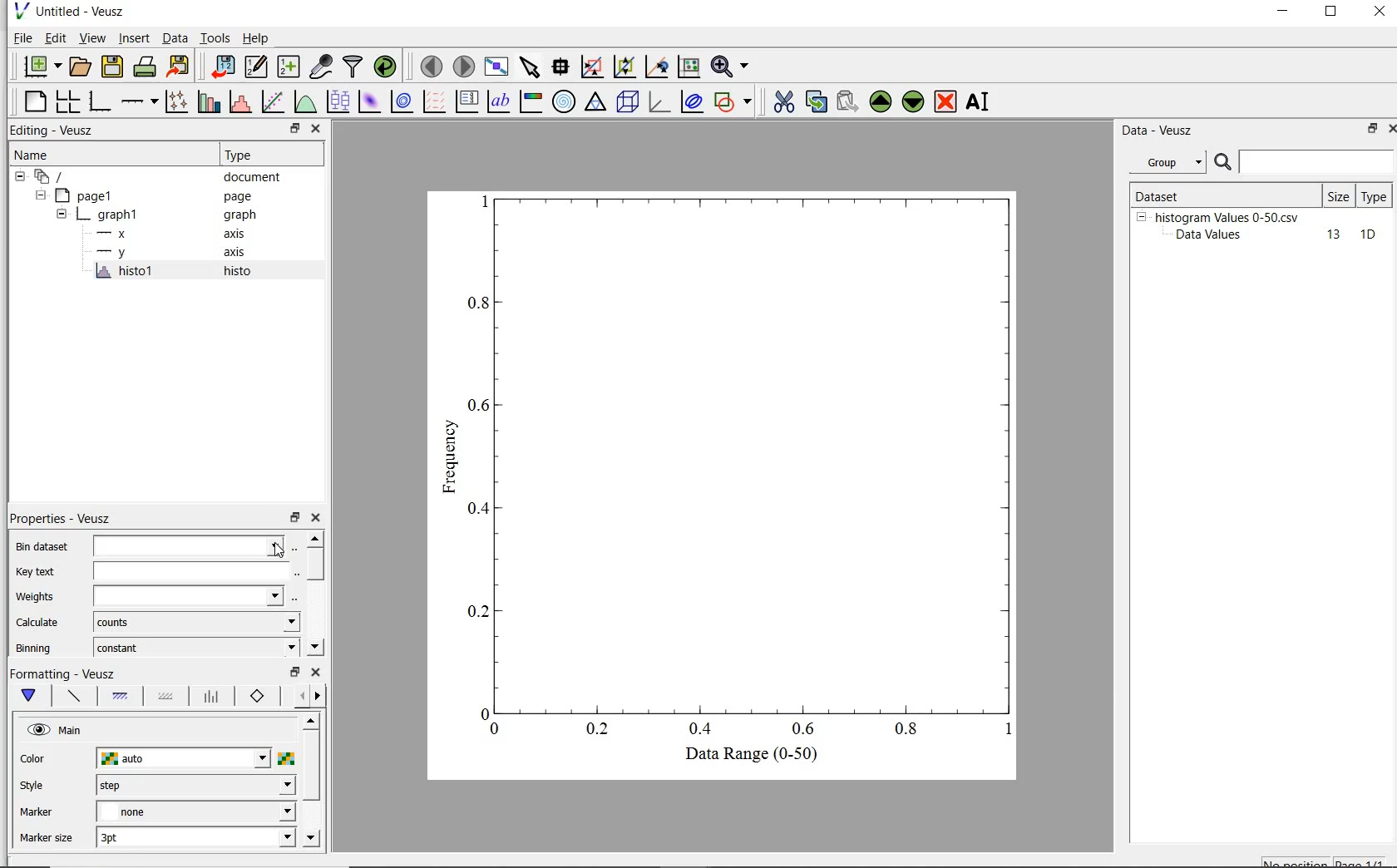  I want to click on plot 2d dataset as contours, so click(402, 101).